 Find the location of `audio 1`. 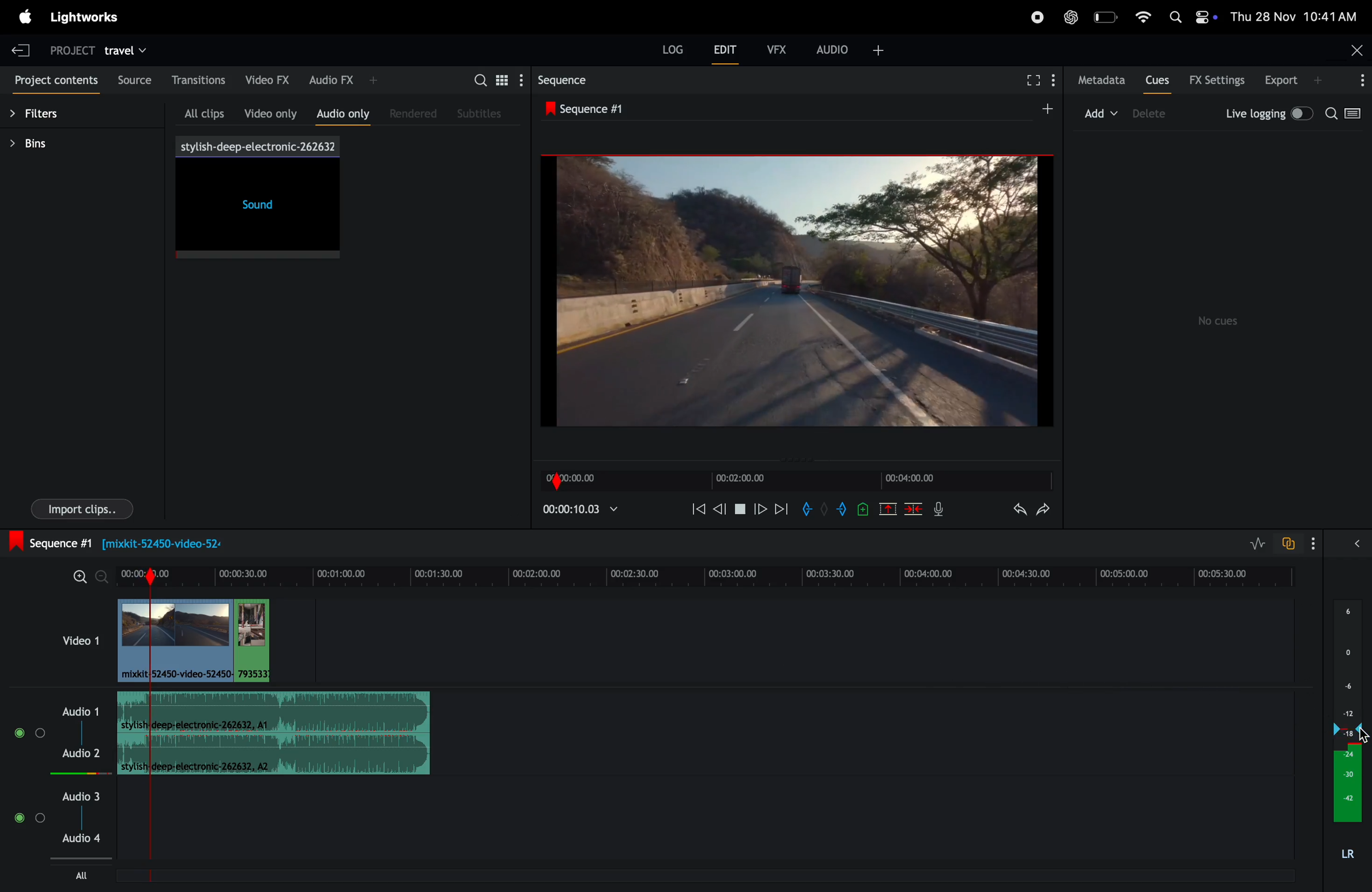

audio 1 is located at coordinates (82, 712).